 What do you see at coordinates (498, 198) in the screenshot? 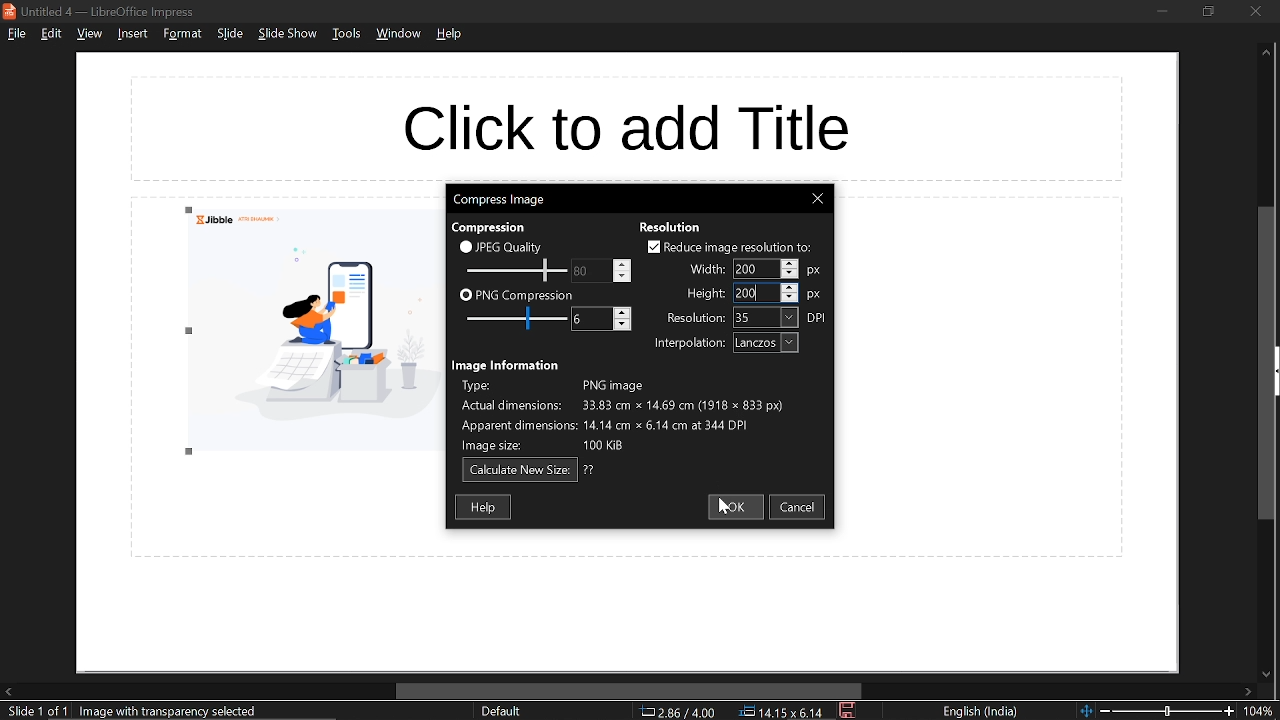
I see `current window` at bounding box center [498, 198].